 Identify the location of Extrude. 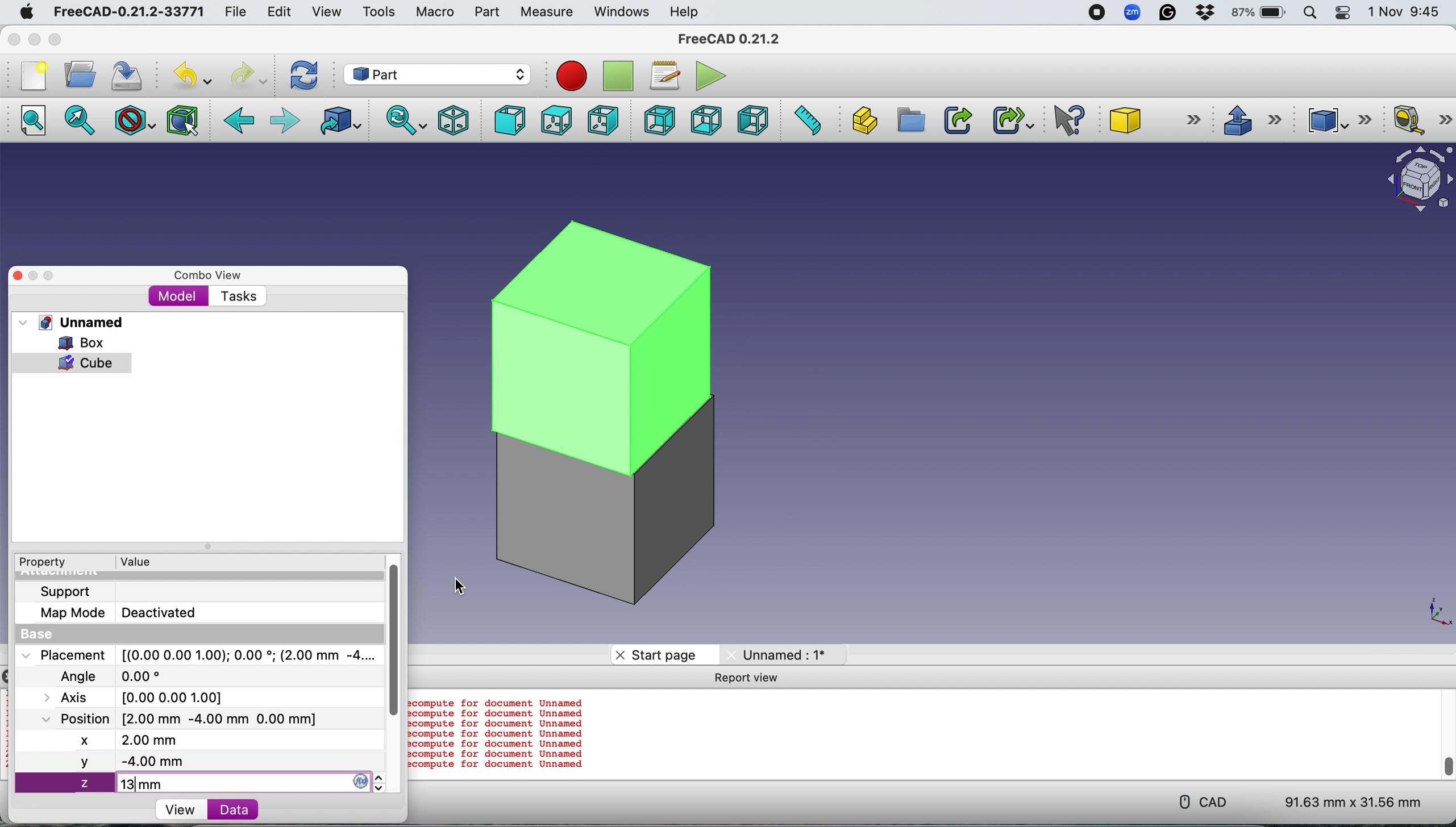
(1251, 119).